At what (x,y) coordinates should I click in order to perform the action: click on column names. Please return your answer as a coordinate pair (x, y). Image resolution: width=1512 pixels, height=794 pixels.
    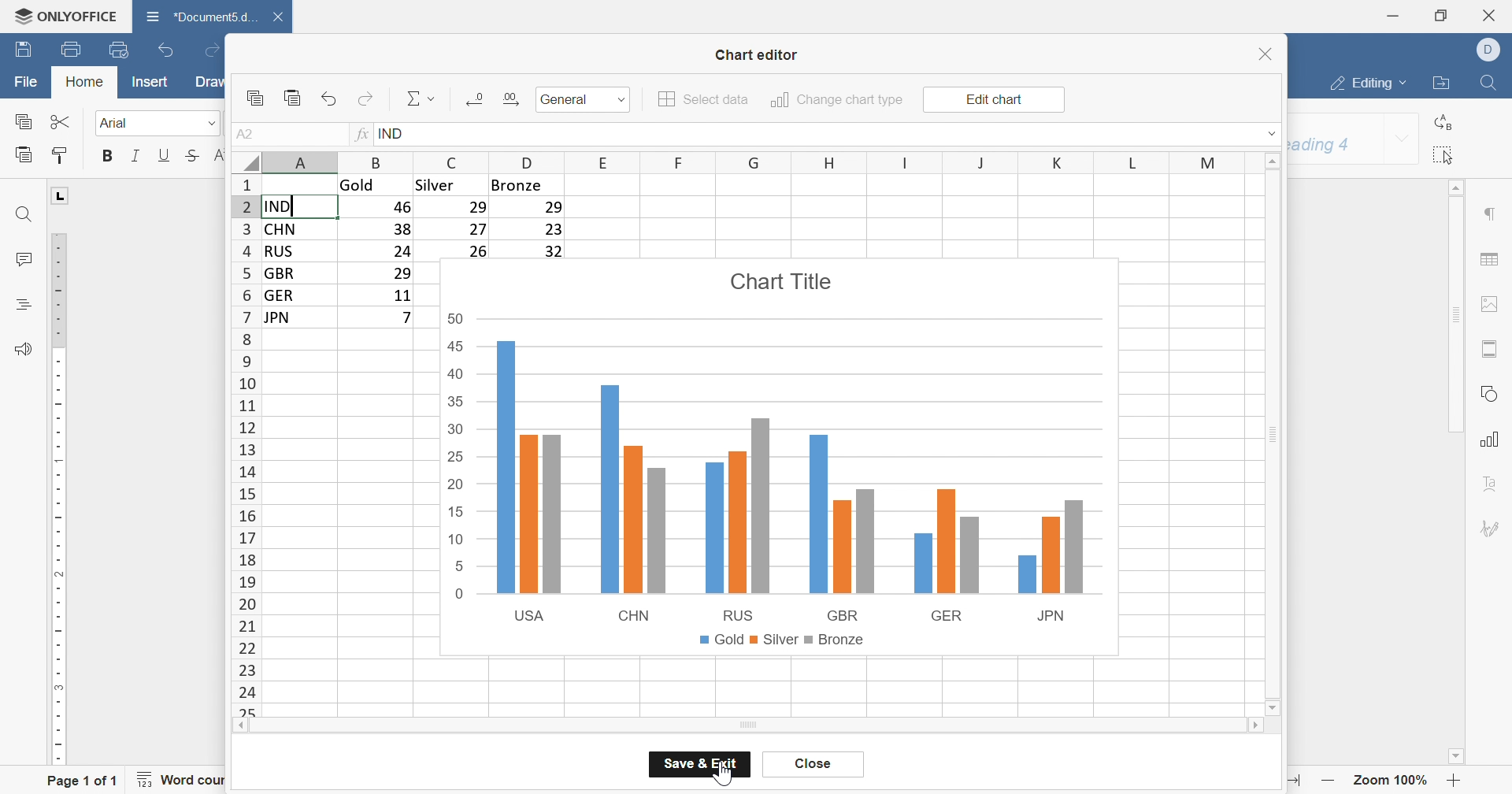
    Looking at the image, I should click on (761, 162).